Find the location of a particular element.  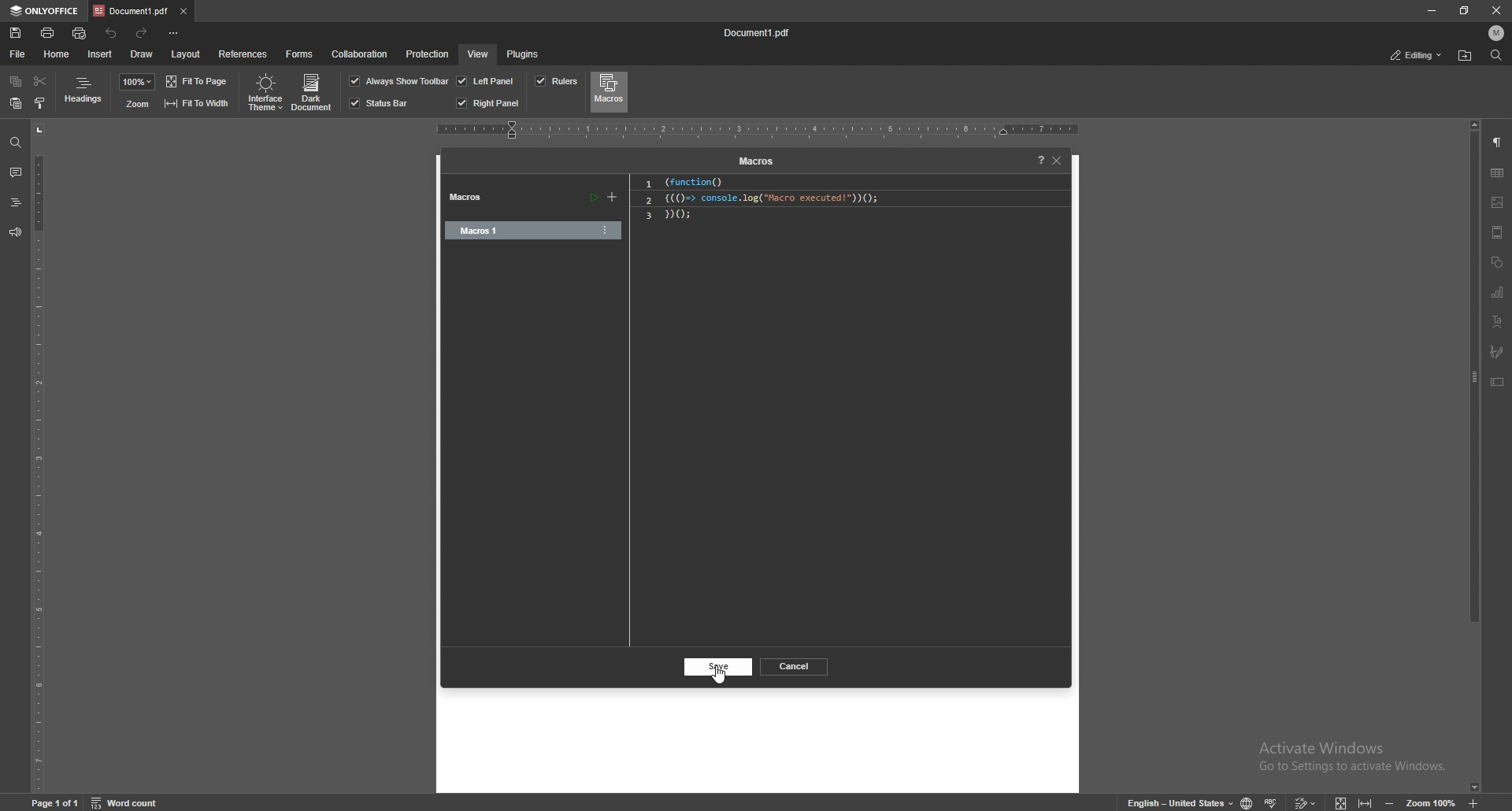

zoom is located at coordinates (136, 104).